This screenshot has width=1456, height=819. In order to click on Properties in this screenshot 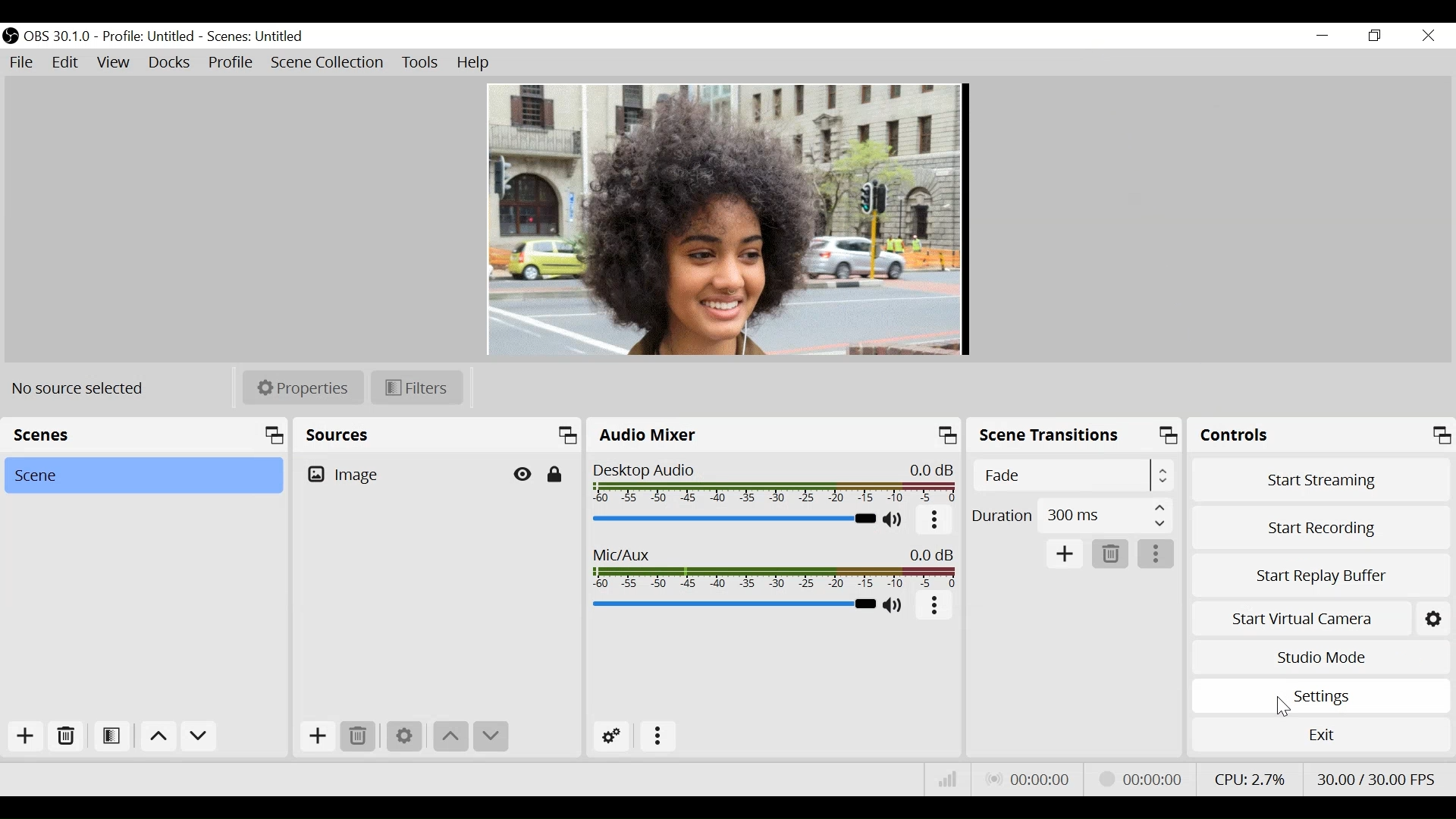, I will do `click(301, 388)`.